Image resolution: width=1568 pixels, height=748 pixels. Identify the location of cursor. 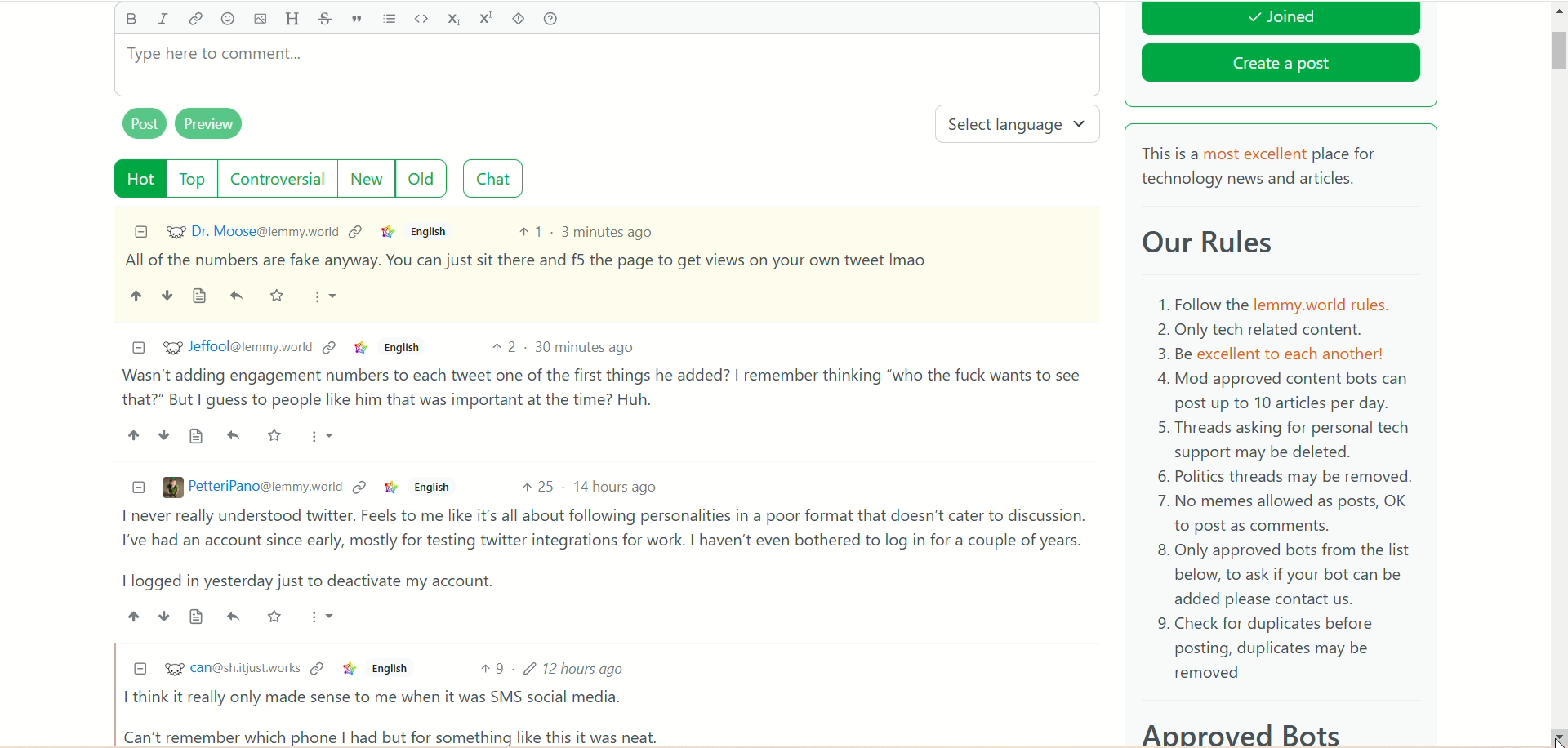
(1555, 733).